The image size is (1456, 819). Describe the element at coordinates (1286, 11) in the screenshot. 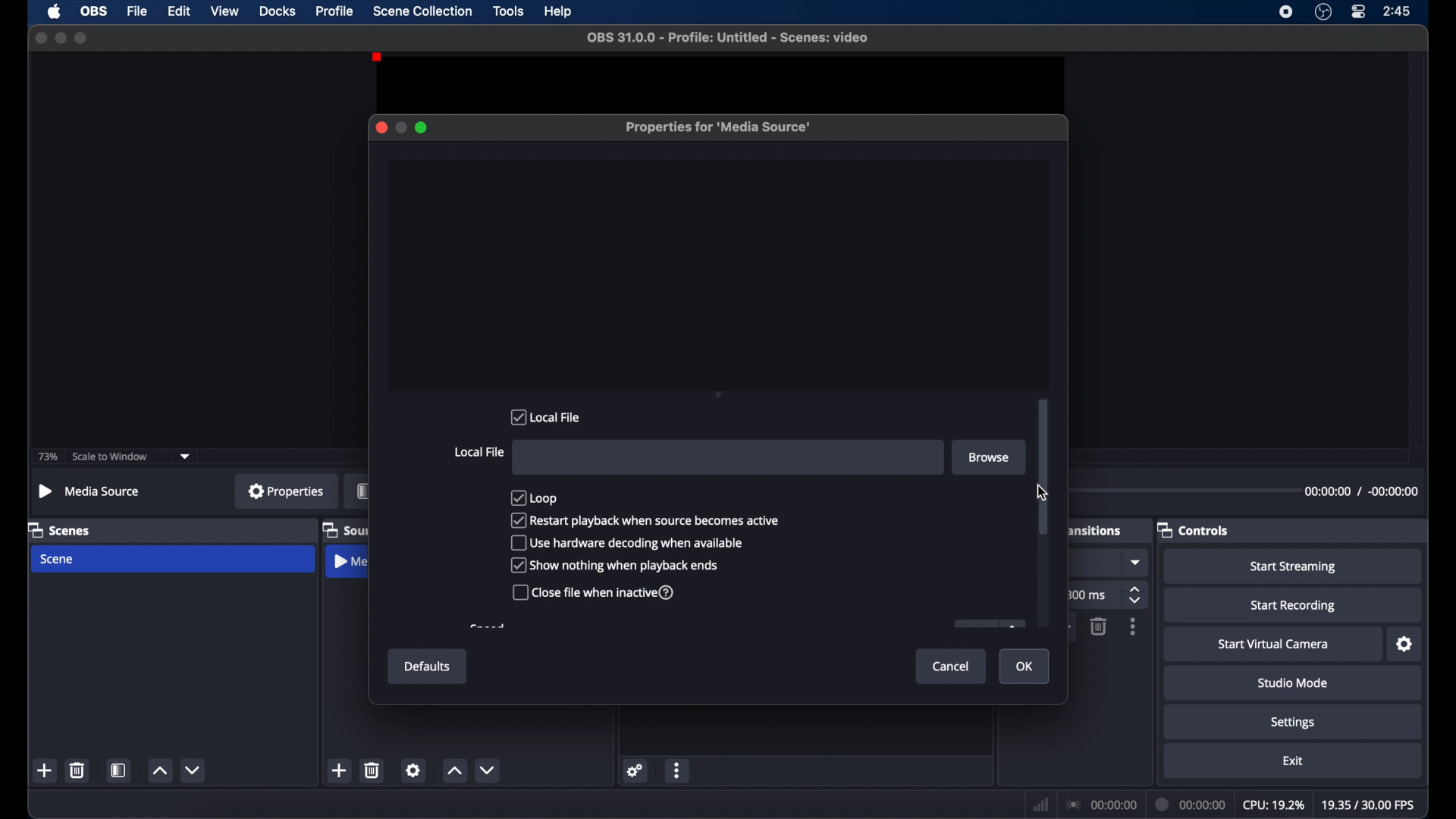

I see `screen recorder icon` at that location.